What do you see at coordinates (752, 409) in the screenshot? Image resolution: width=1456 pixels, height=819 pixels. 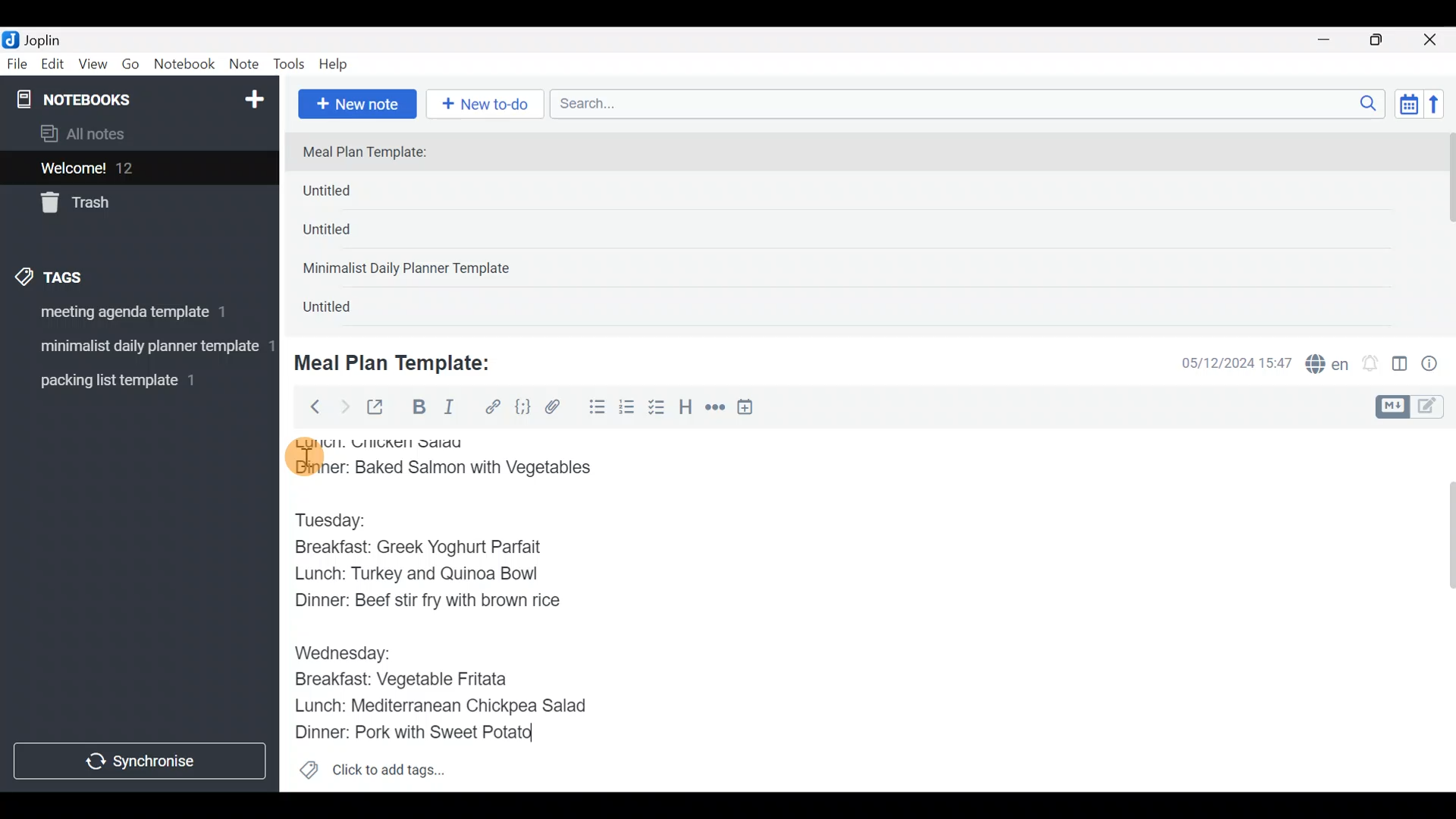 I see `Insert time` at bounding box center [752, 409].